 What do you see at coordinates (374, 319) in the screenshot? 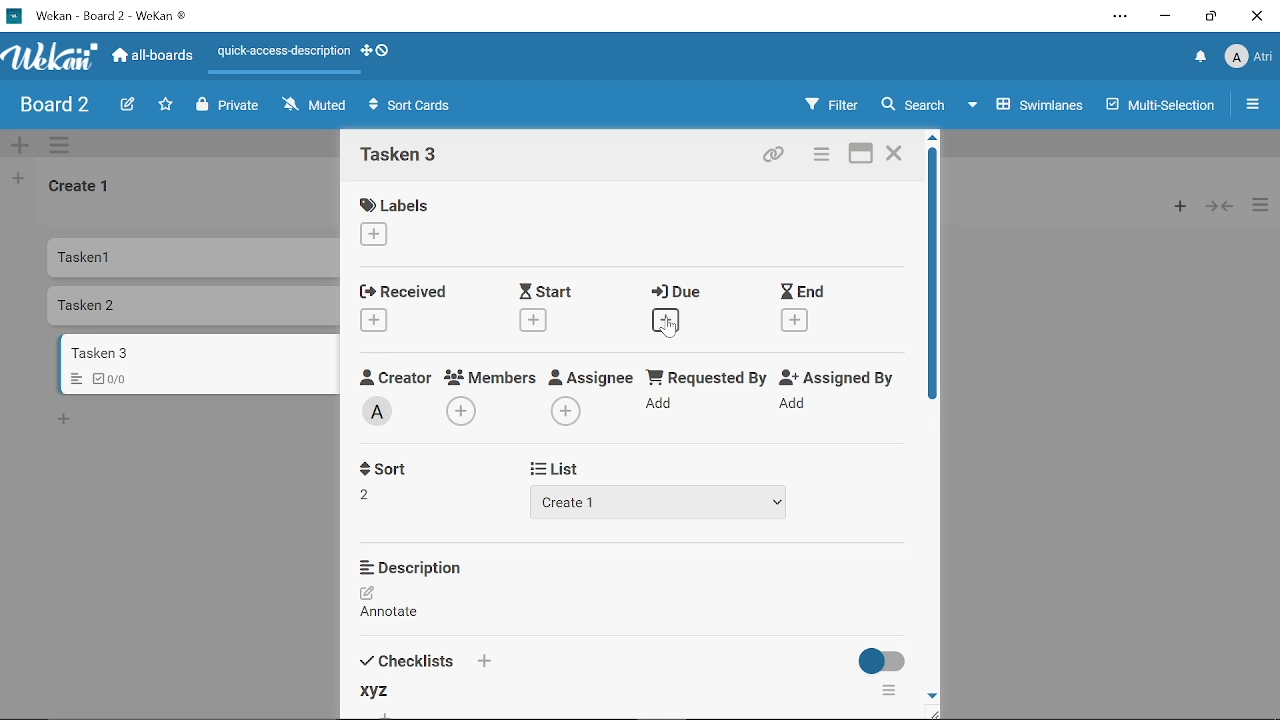
I see `Add received date` at bounding box center [374, 319].